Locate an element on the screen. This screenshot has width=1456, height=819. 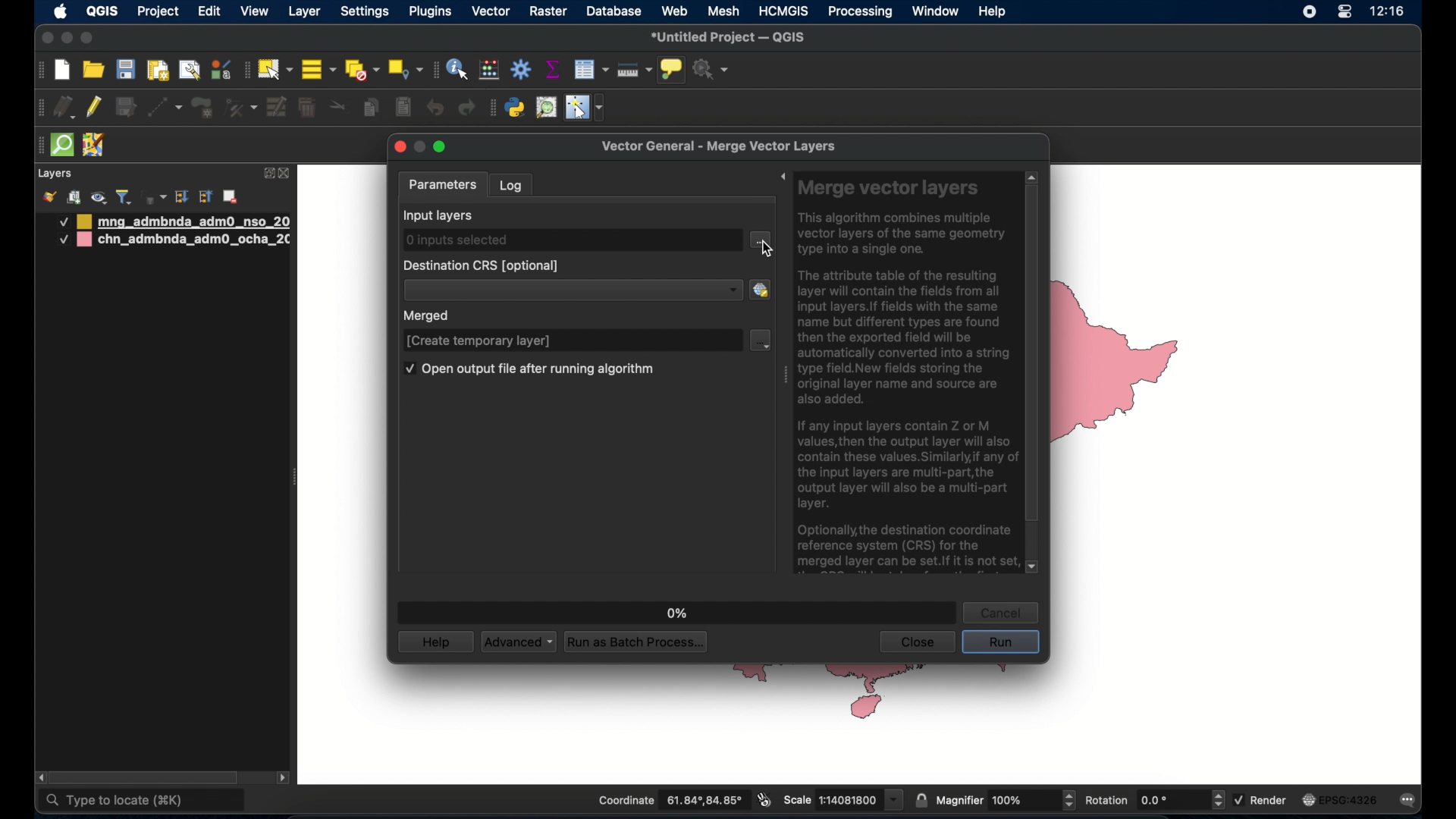
input layers is located at coordinates (439, 215).